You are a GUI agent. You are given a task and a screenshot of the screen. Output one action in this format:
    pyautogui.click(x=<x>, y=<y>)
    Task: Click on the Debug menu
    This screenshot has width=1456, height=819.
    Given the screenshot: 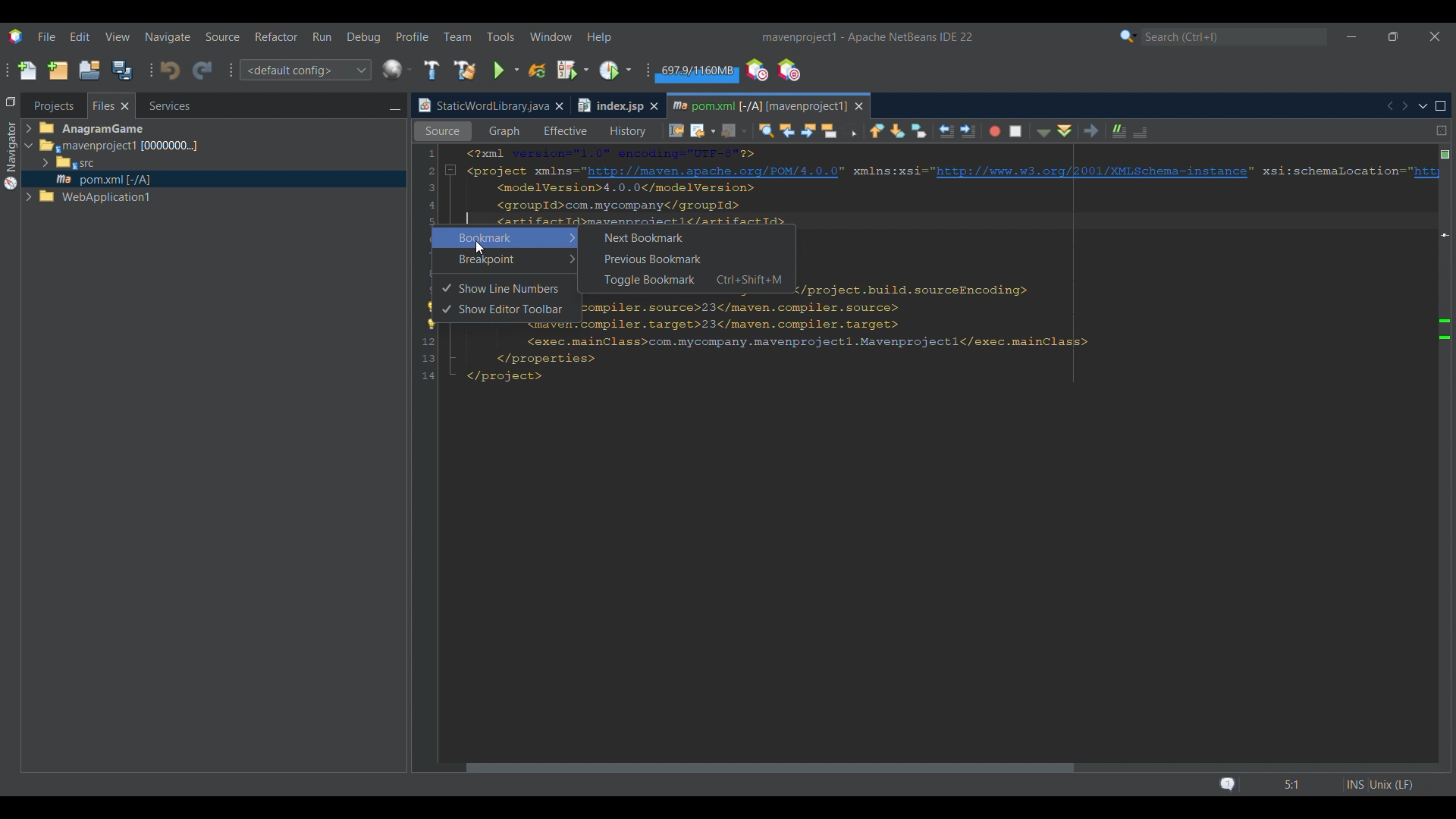 What is the action you would take?
    pyautogui.click(x=364, y=37)
    